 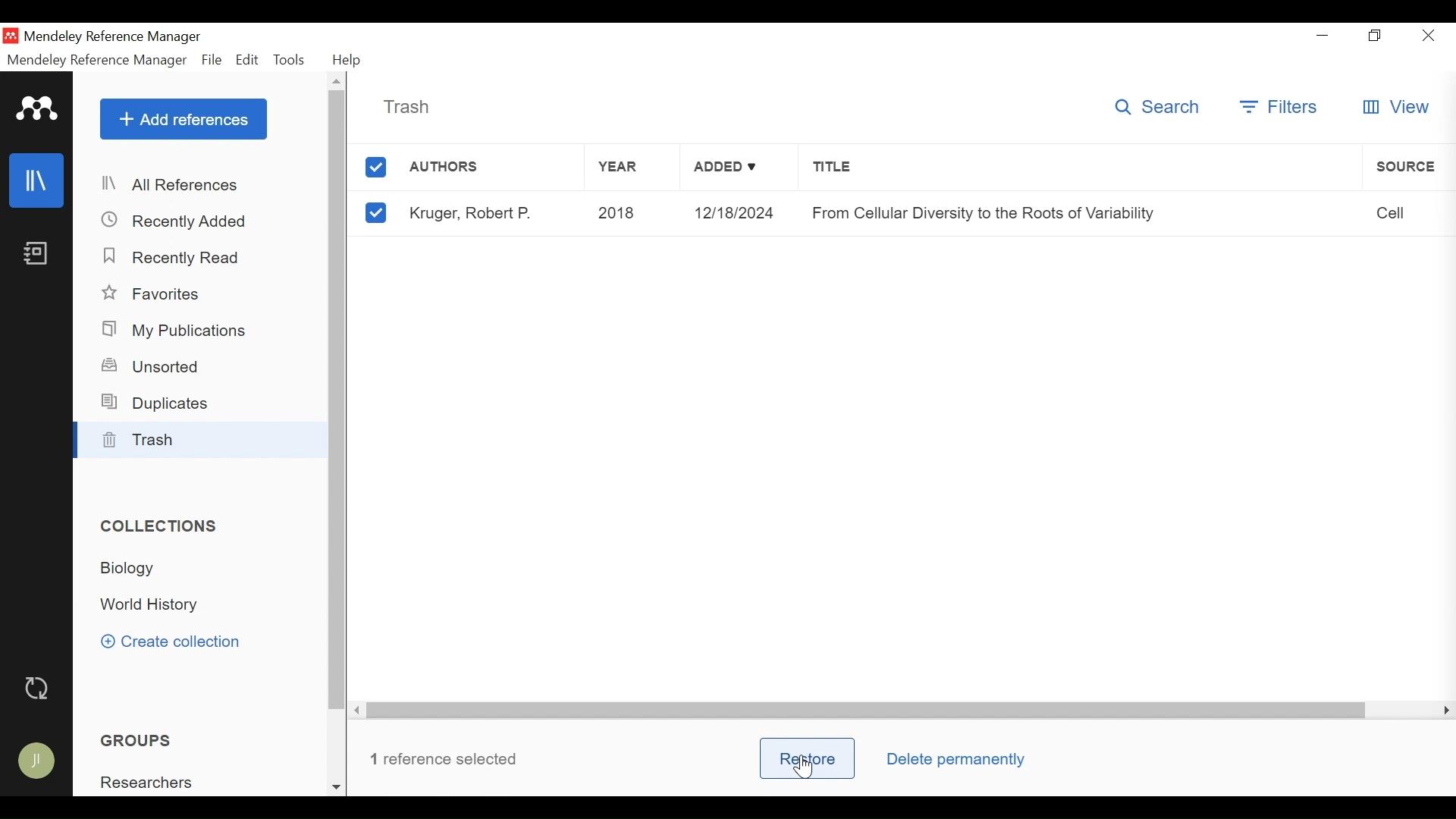 I want to click on Unsorted, so click(x=157, y=365).